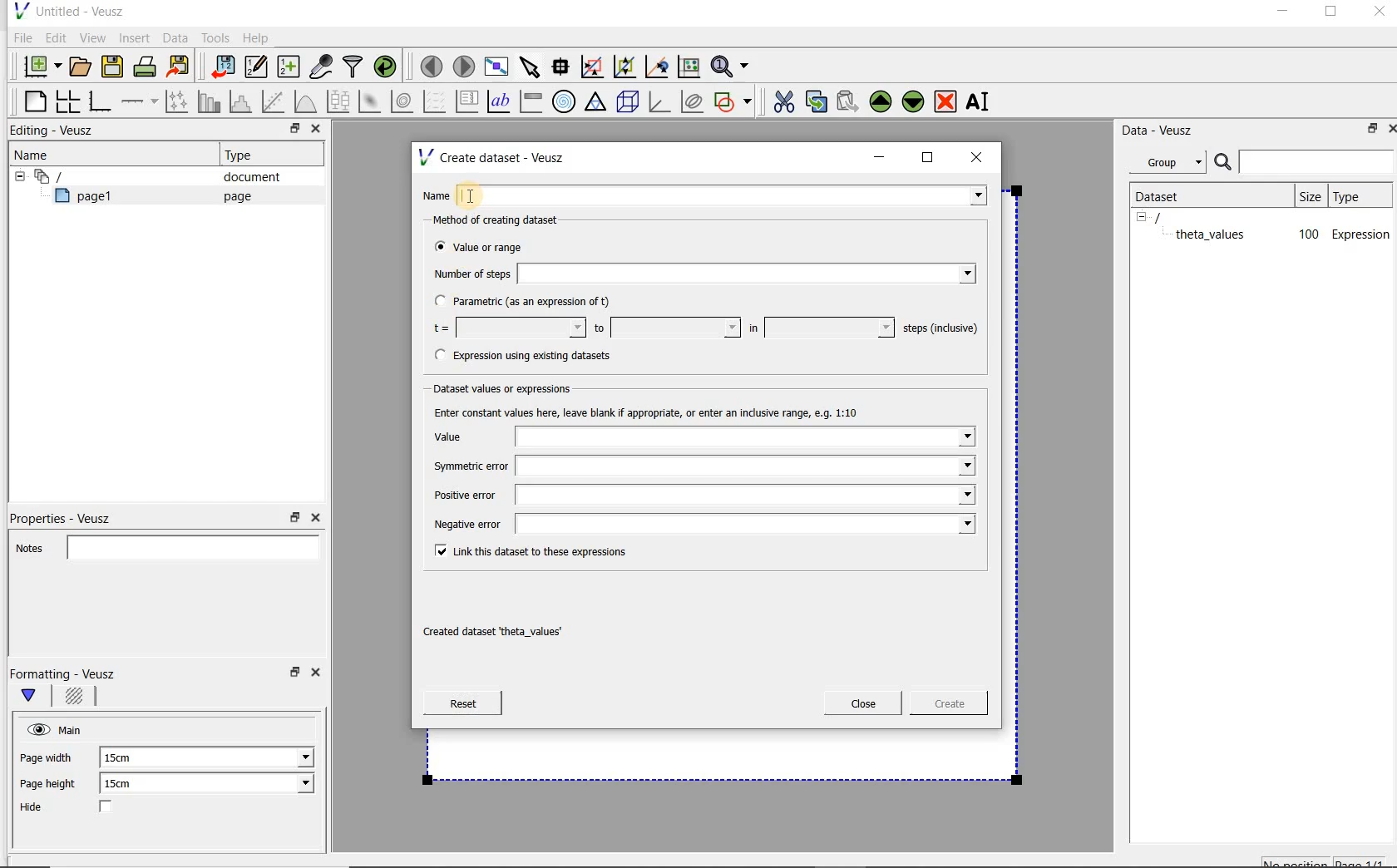 Image resolution: width=1397 pixels, height=868 pixels. I want to click on View, so click(92, 36).